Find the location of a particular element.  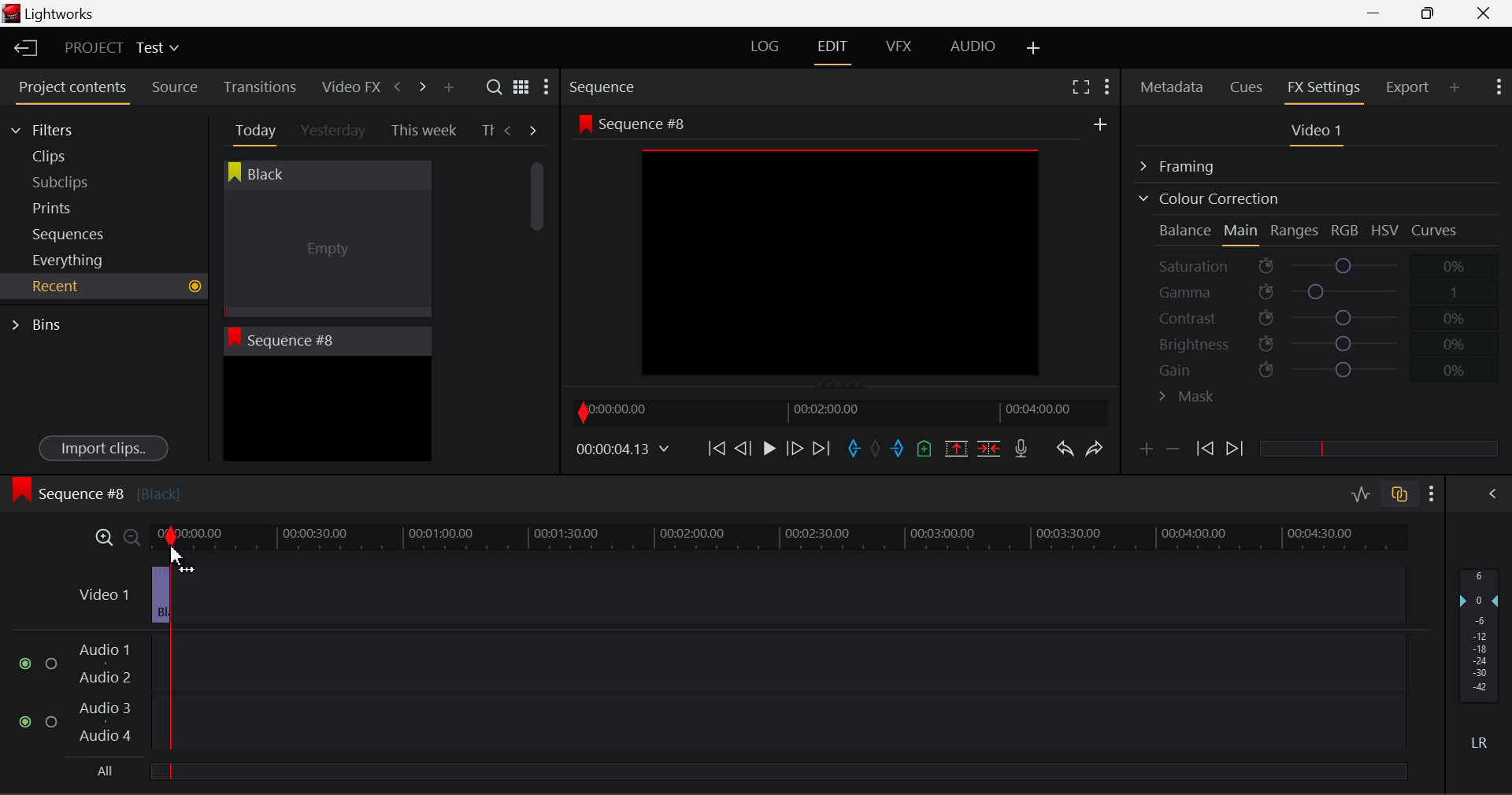

Search is located at coordinates (496, 87).